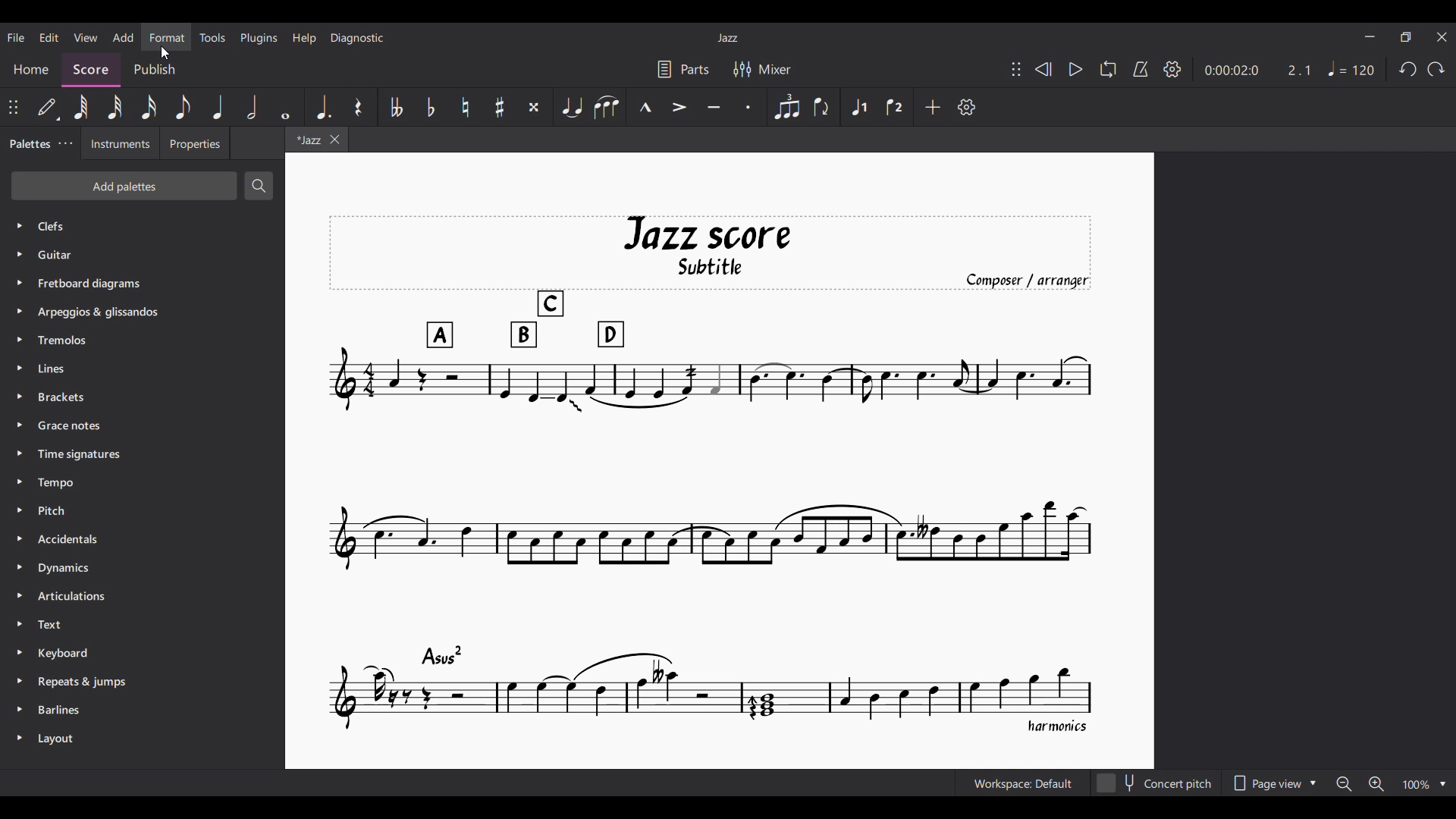 This screenshot has height=819, width=1456. What do you see at coordinates (60, 256) in the screenshot?
I see `Guitar` at bounding box center [60, 256].